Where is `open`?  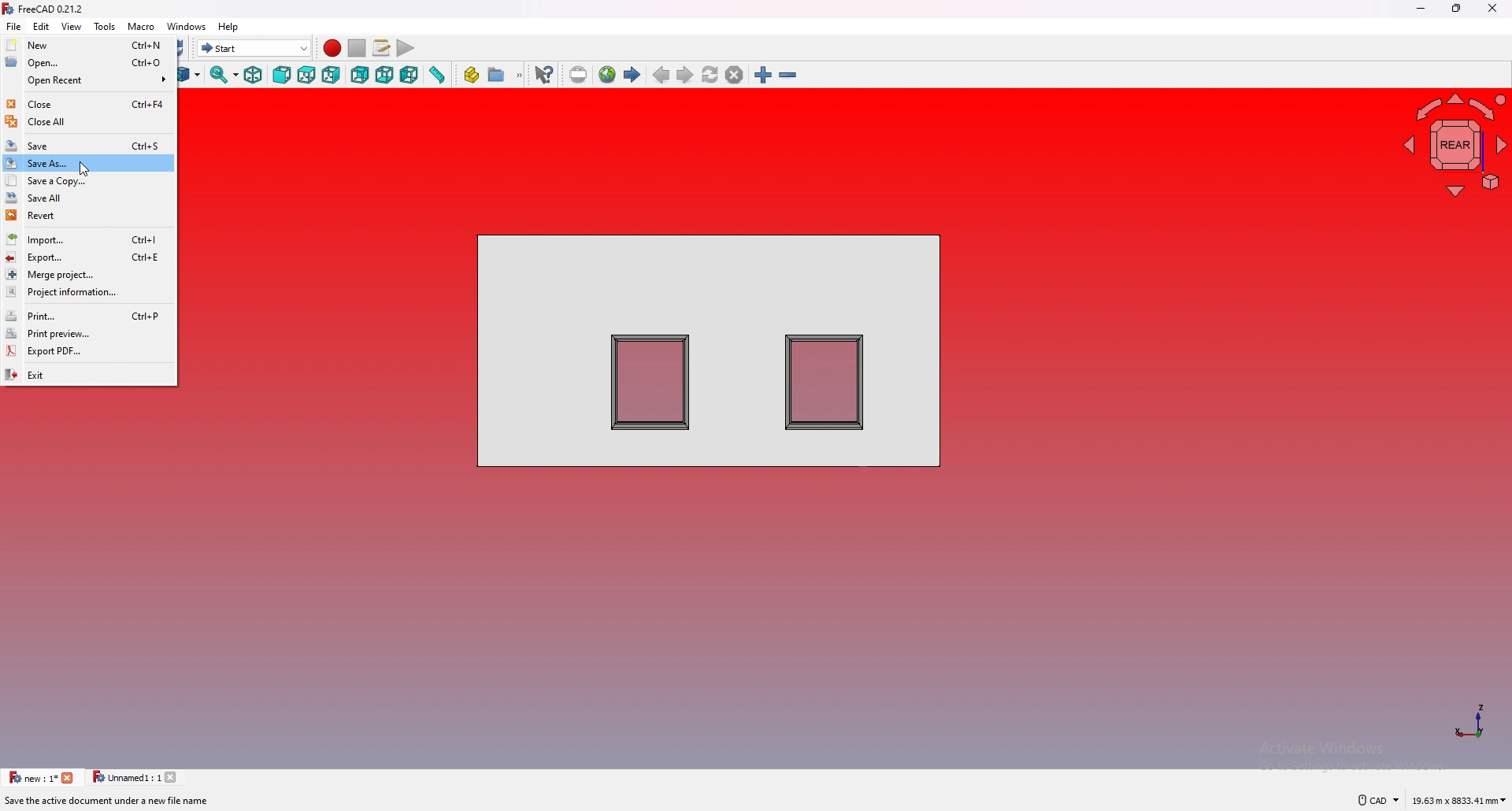
open is located at coordinates (87, 63).